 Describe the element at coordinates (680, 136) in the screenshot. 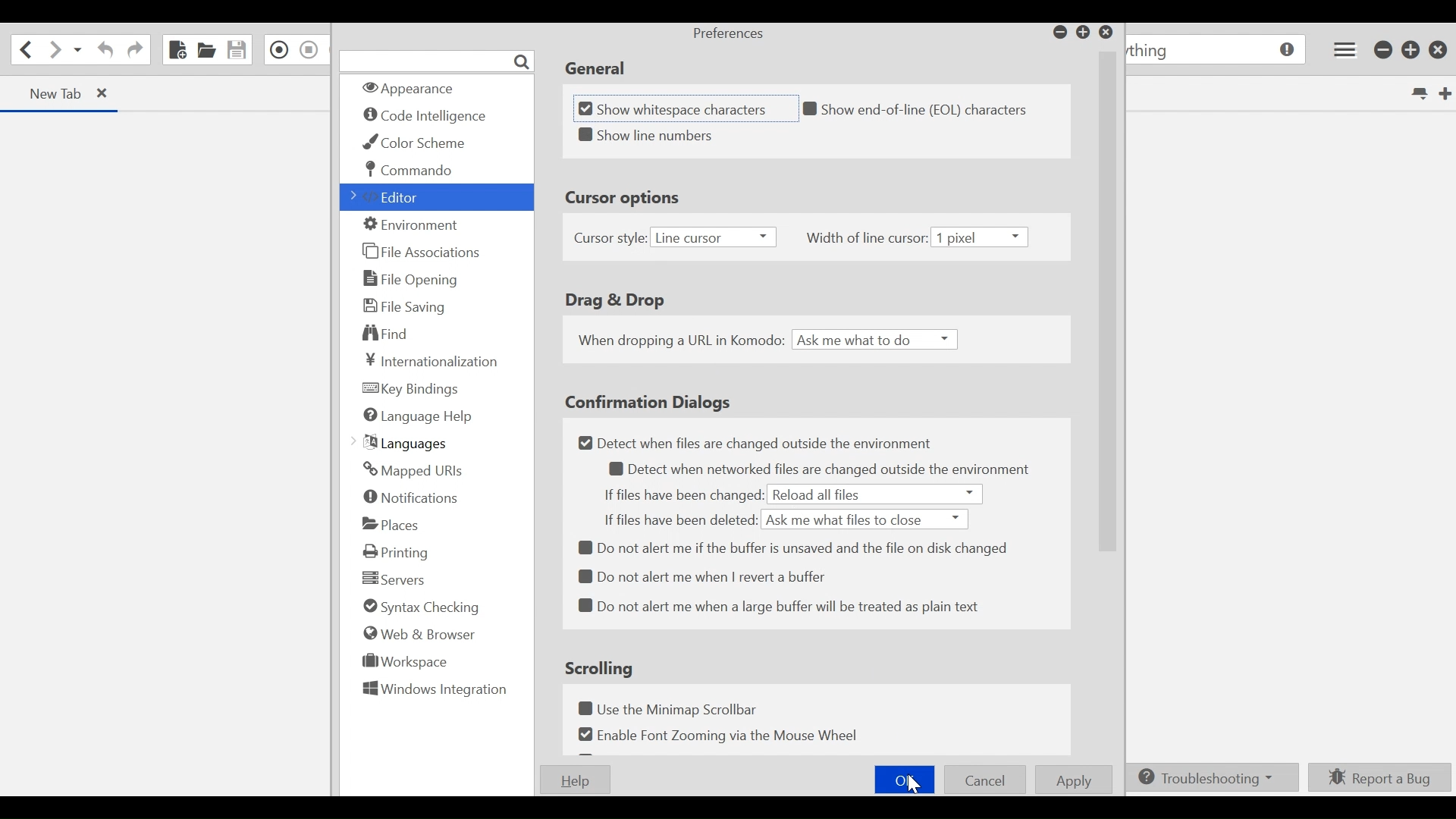

I see `Show line numbers` at that location.